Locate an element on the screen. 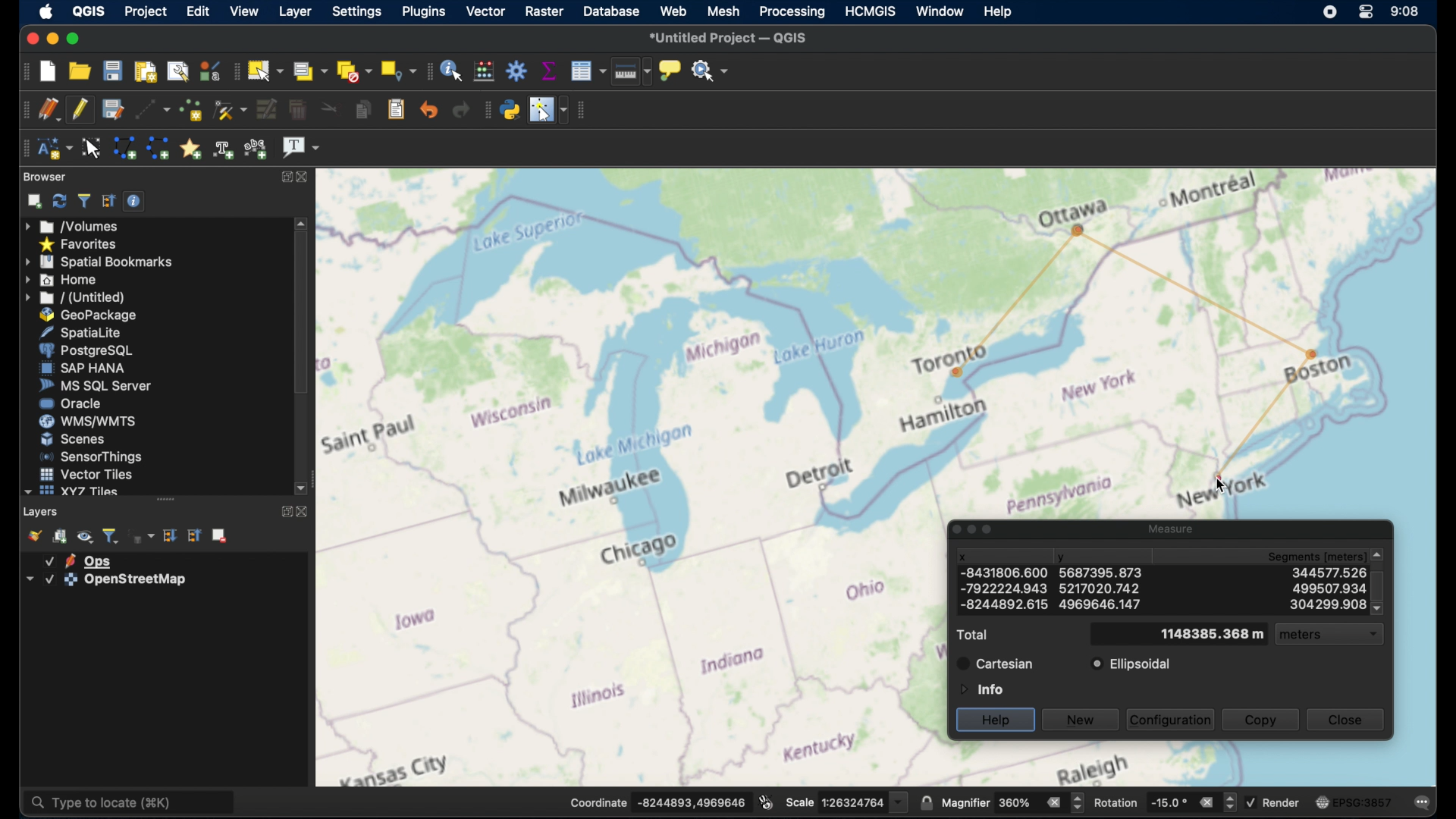 The image size is (1456, 819). scale is located at coordinates (846, 801).